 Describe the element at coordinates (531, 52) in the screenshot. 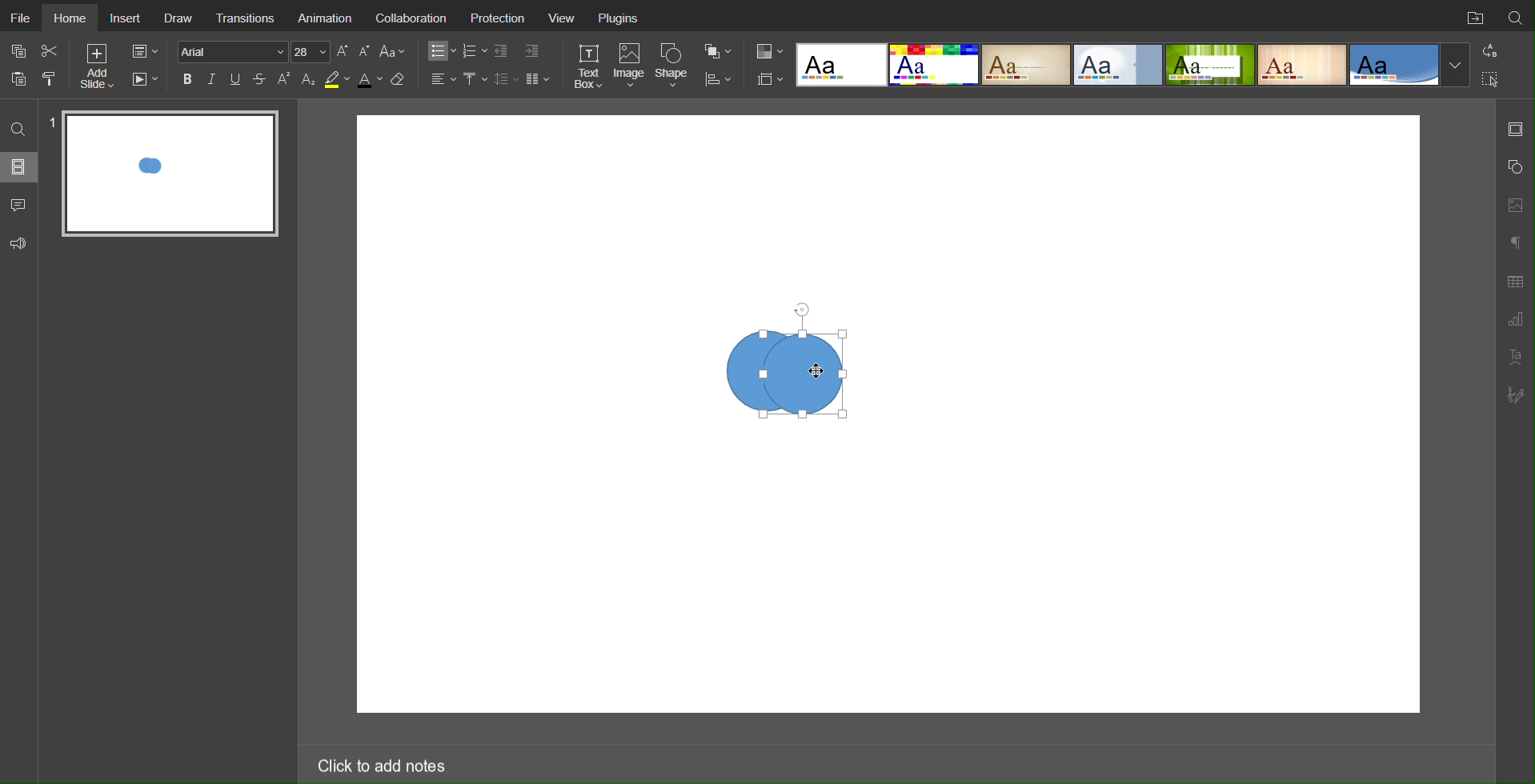

I see `Increase Indent` at that location.